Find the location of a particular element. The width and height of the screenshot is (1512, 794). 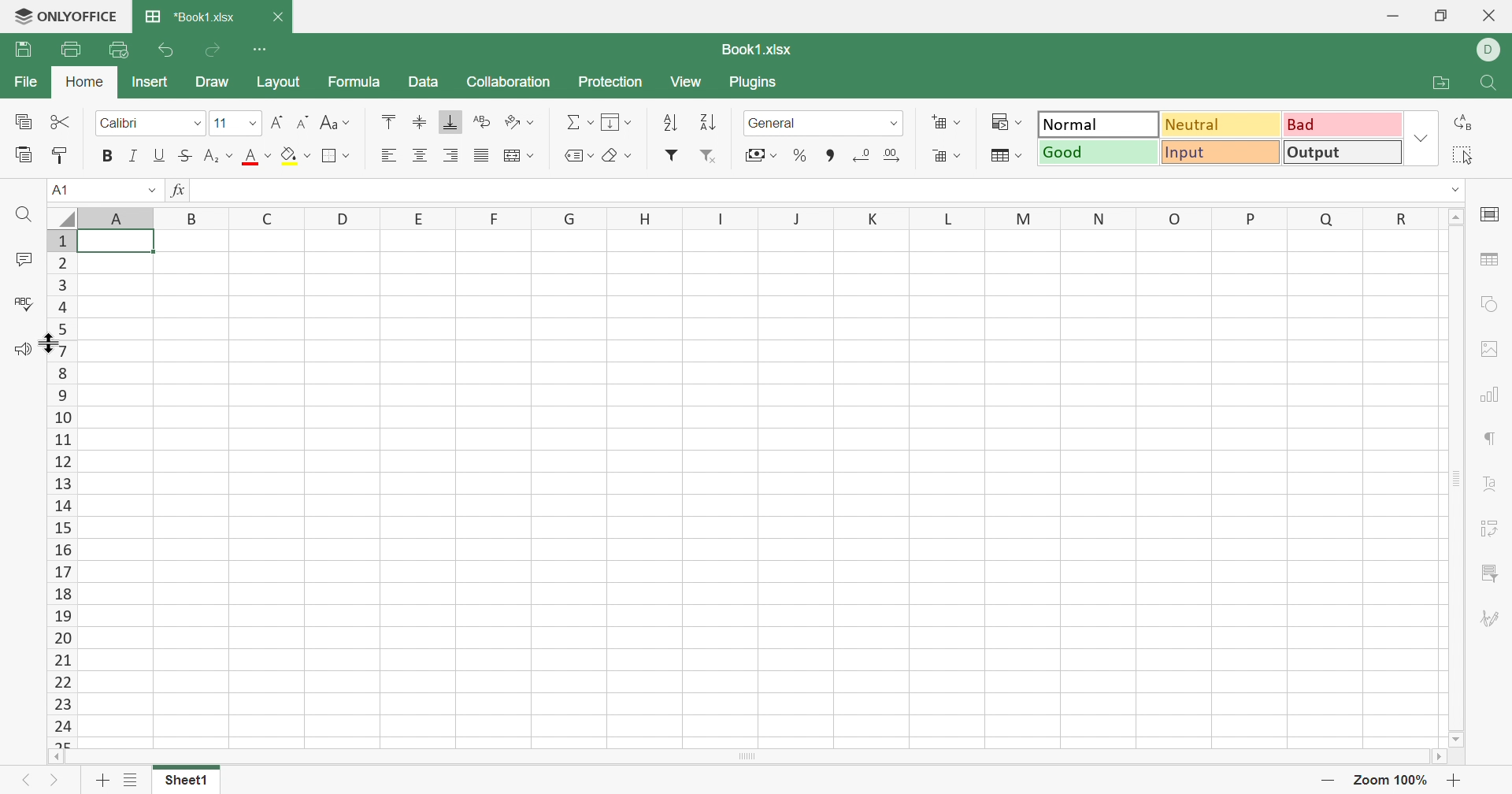

Scroll Left is located at coordinates (50, 756).